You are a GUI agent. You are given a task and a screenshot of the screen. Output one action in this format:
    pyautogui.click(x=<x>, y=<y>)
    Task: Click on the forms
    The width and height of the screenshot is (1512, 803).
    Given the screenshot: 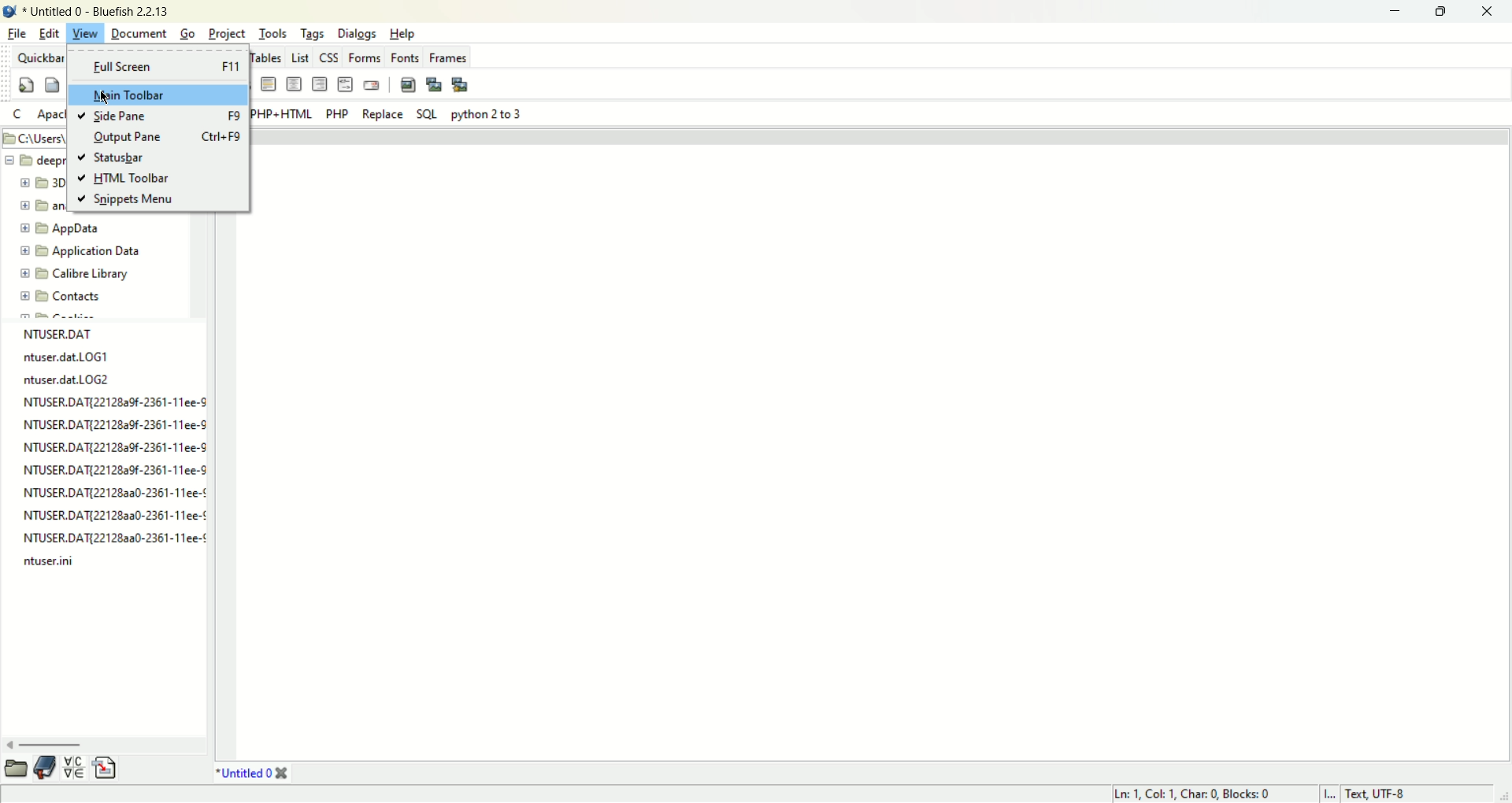 What is the action you would take?
    pyautogui.click(x=365, y=56)
    